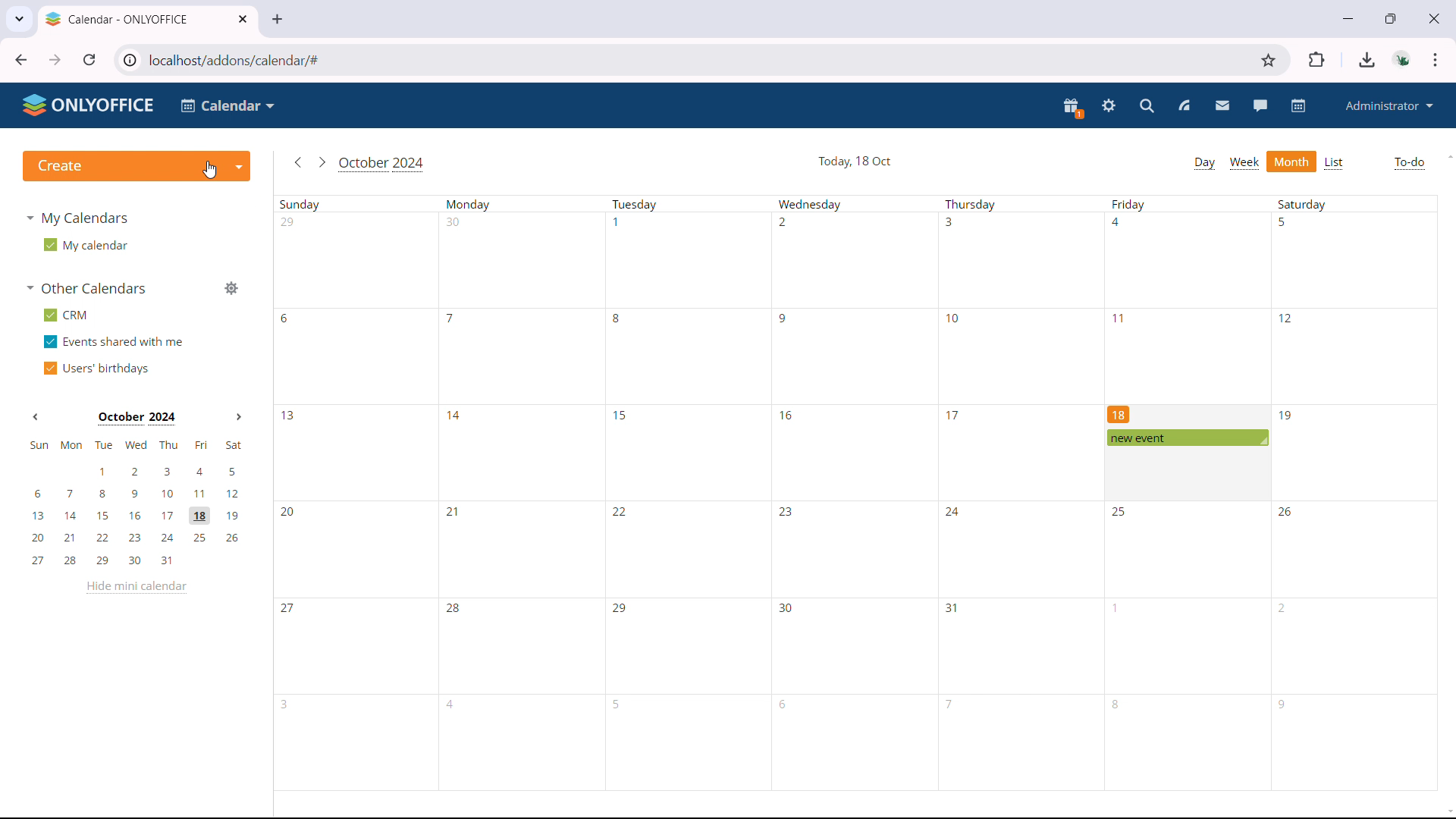 The width and height of the screenshot is (1456, 819). I want to click on October 2024, so click(384, 165).